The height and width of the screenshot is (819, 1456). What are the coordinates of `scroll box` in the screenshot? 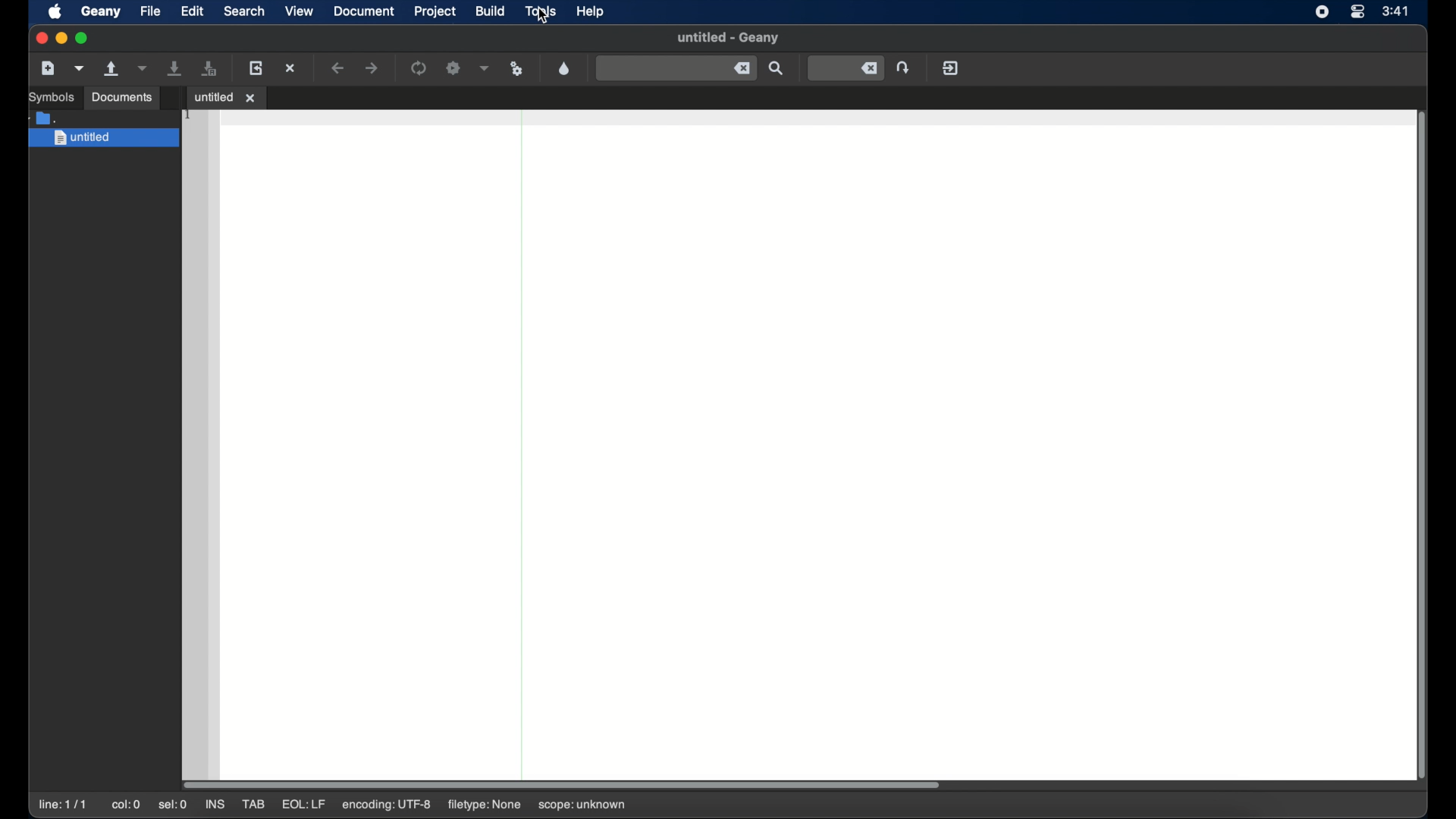 It's located at (564, 783).